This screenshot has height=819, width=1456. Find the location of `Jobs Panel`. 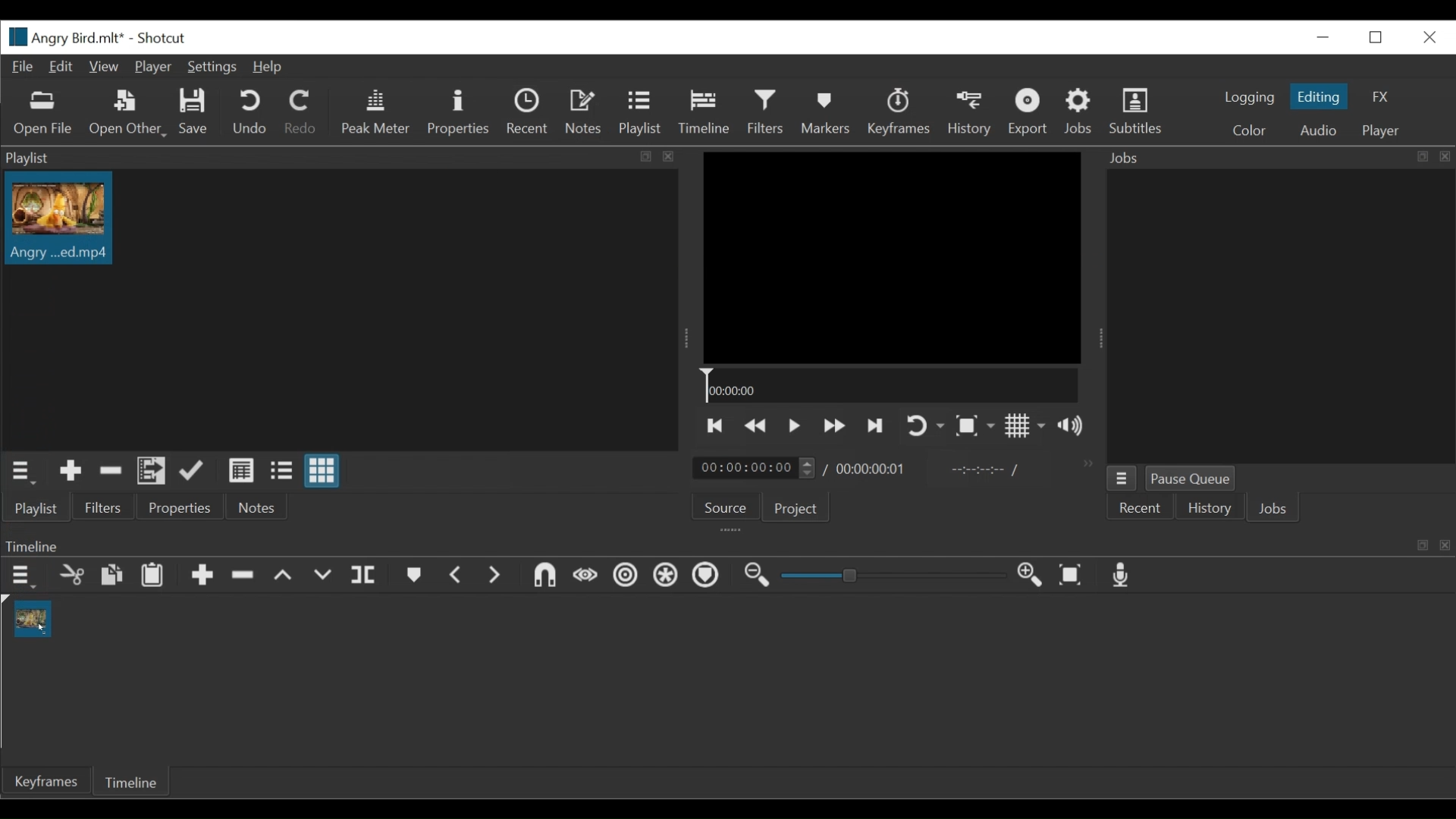

Jobs Panel is located at coordinates (1278, 158).